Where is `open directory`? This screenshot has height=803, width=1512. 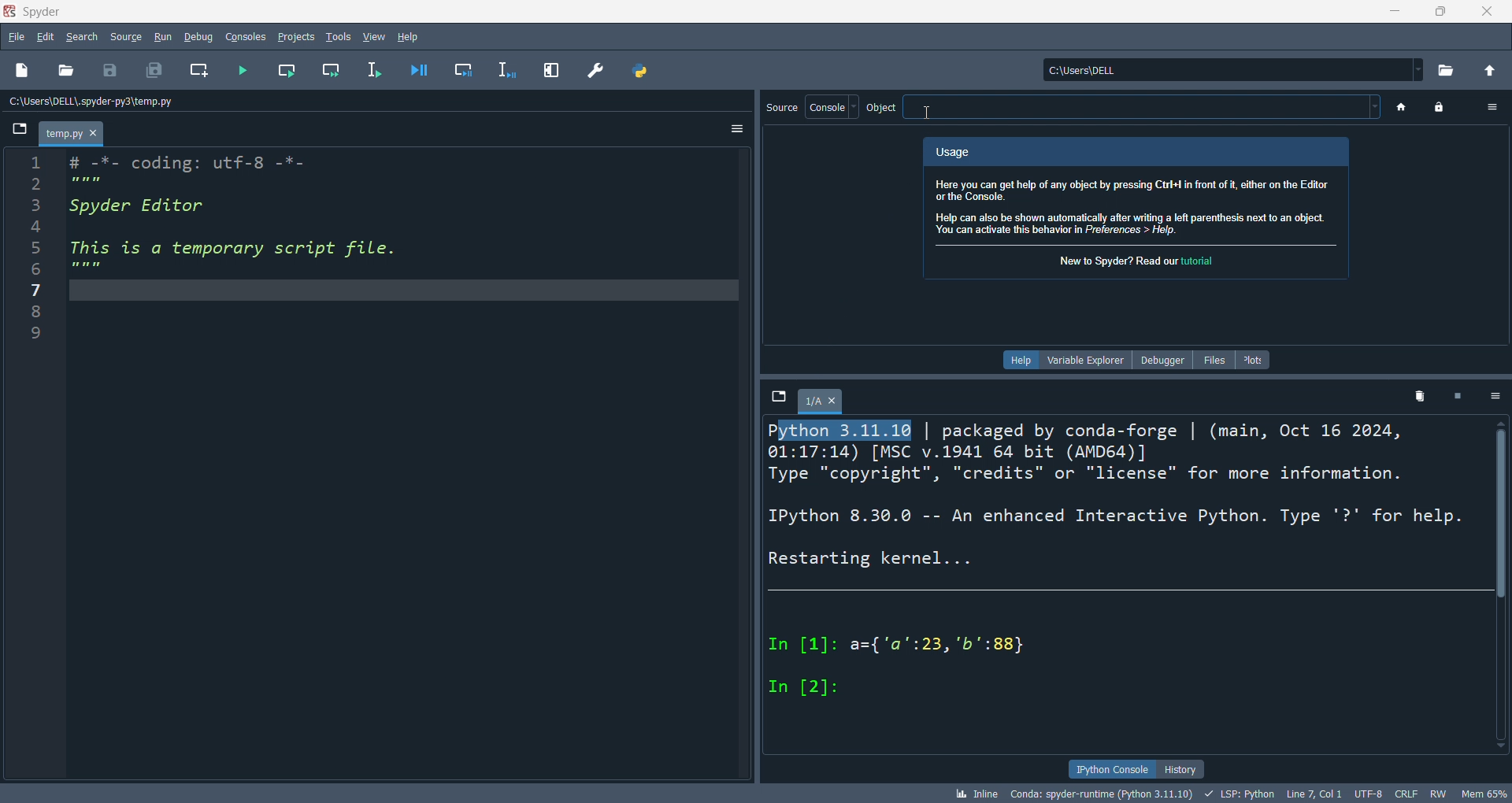 open directory is located at coordinates (1441, 72).